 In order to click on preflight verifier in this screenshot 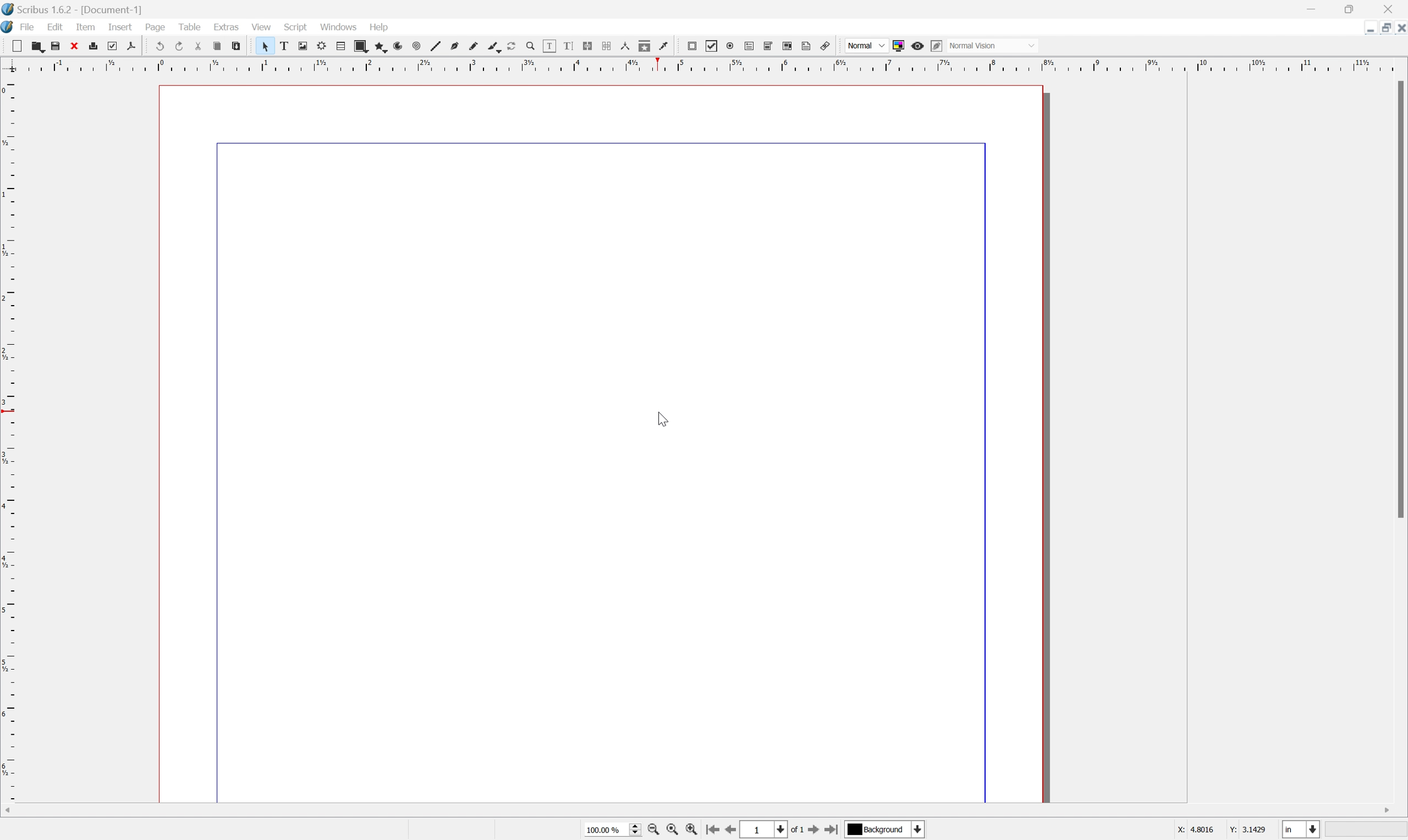, I will do `click(118, 46)`.